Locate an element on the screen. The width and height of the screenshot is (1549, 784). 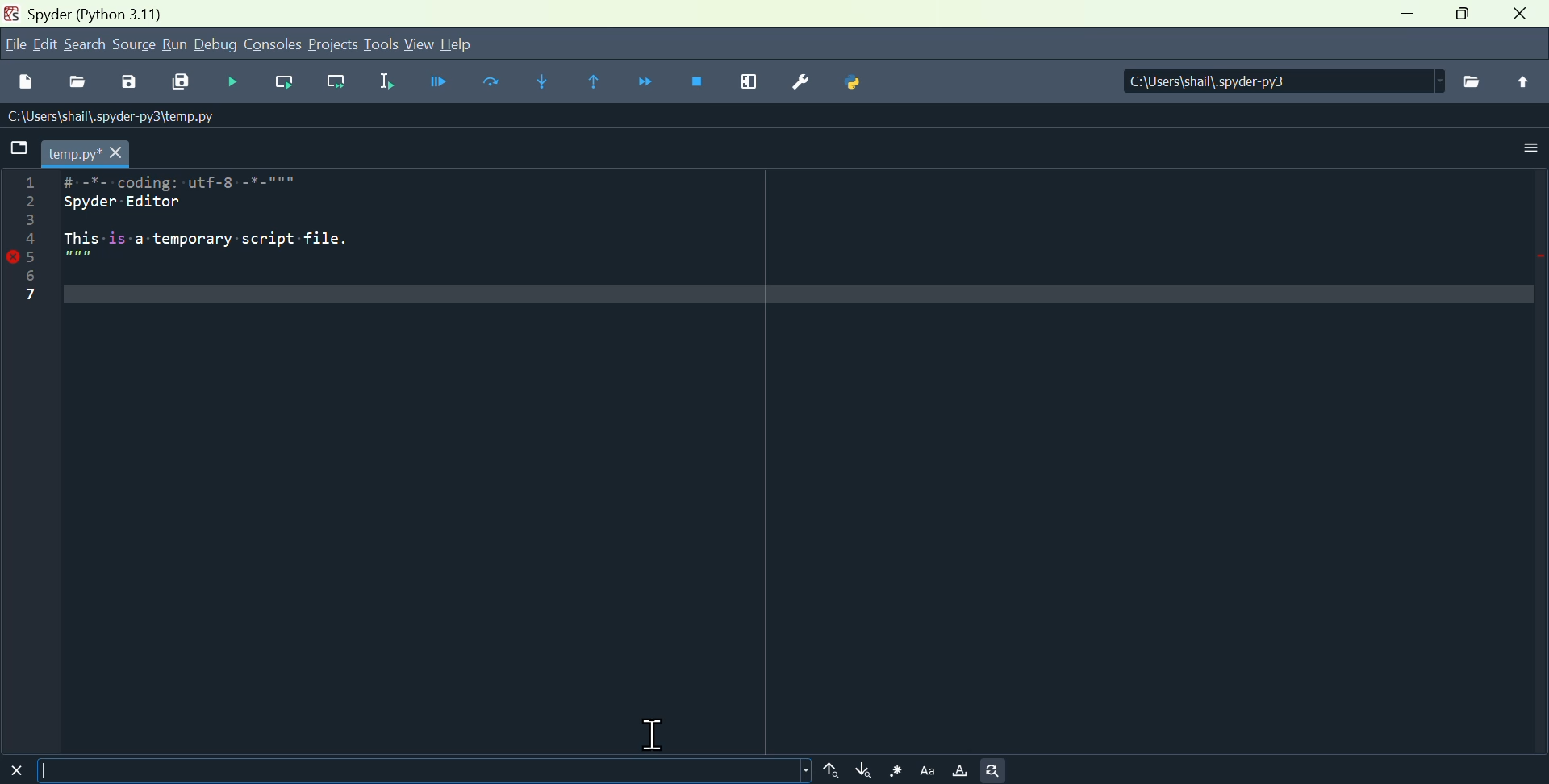
Find Previous is located at coordinates (830, 770).